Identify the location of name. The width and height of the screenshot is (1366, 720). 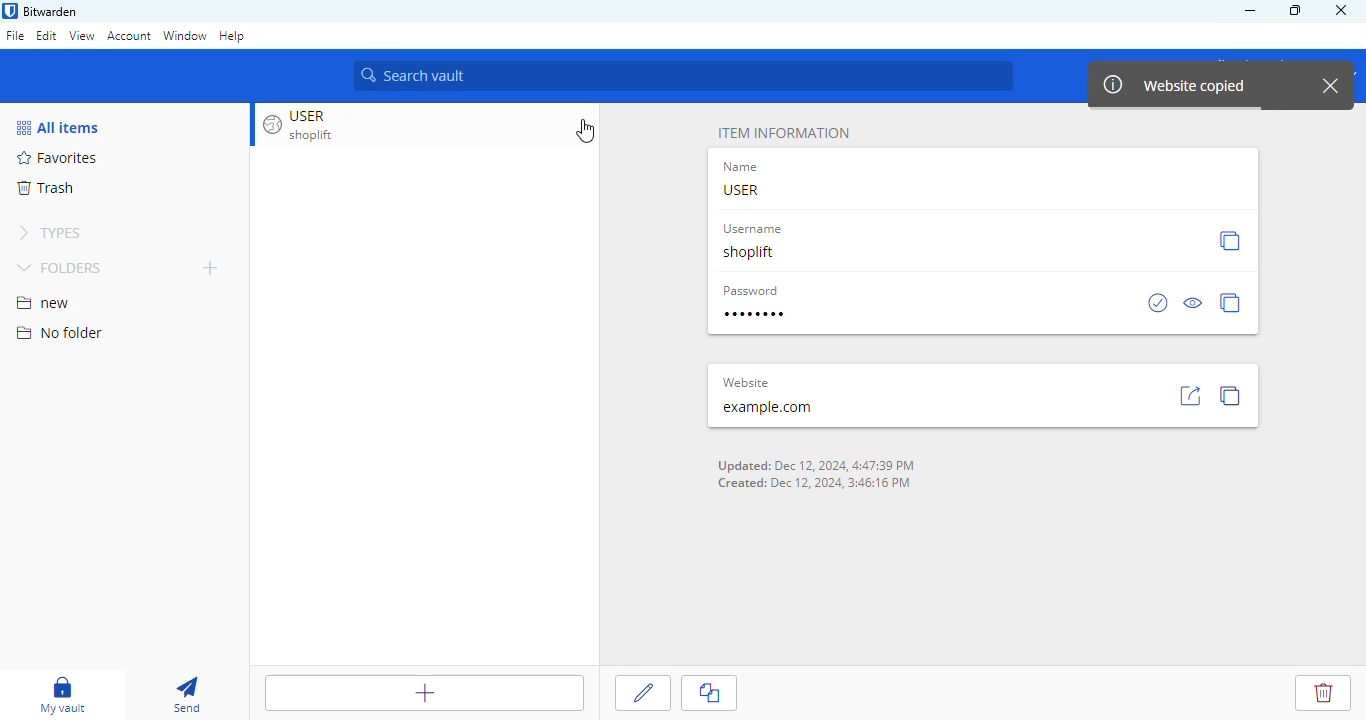
(743, 167).